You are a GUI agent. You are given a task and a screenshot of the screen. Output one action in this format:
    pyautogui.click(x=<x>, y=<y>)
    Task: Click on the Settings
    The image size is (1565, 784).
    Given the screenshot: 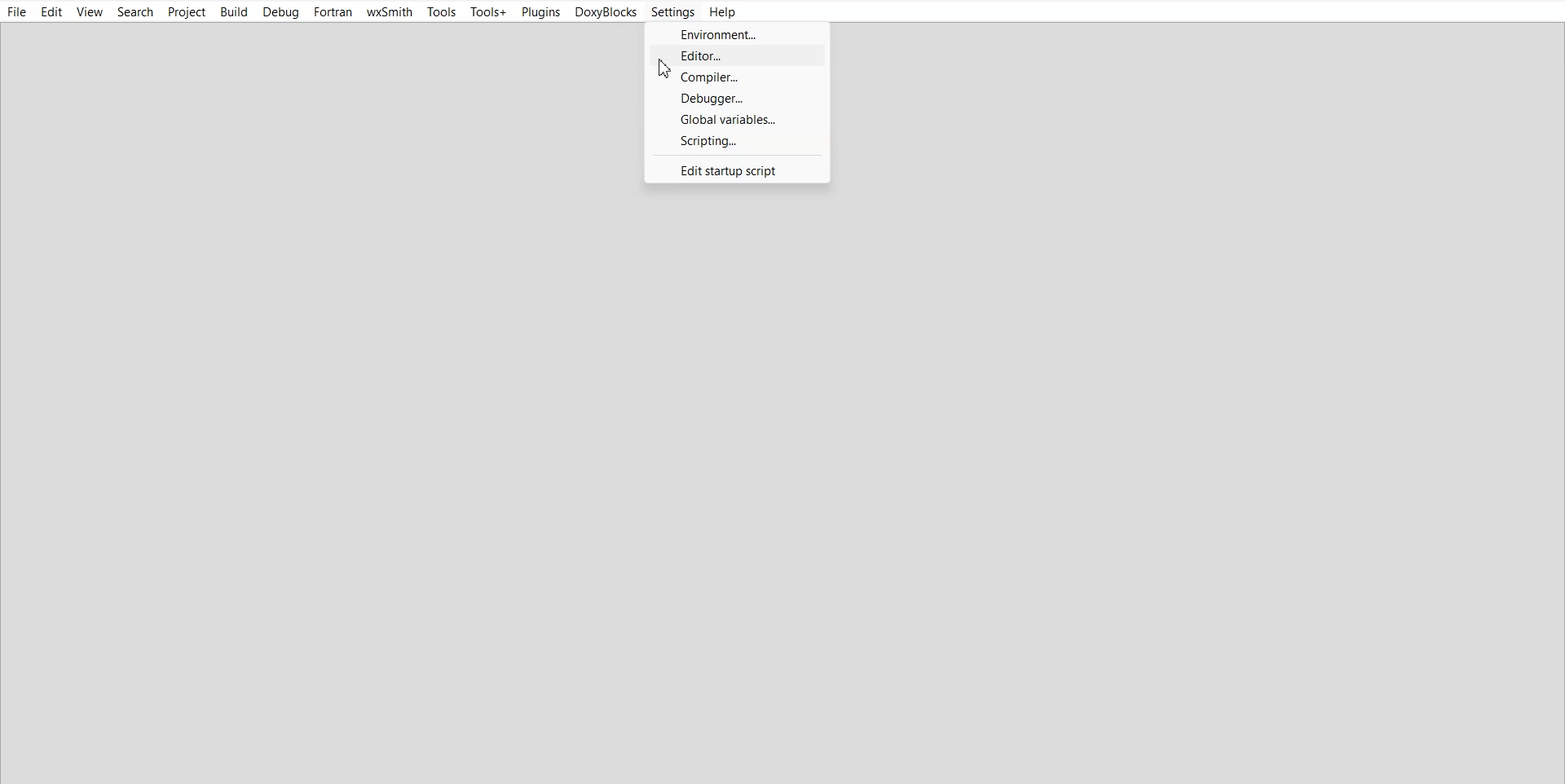 What is the action you would take?
    pyautogui.click(x=674, y=12)
    